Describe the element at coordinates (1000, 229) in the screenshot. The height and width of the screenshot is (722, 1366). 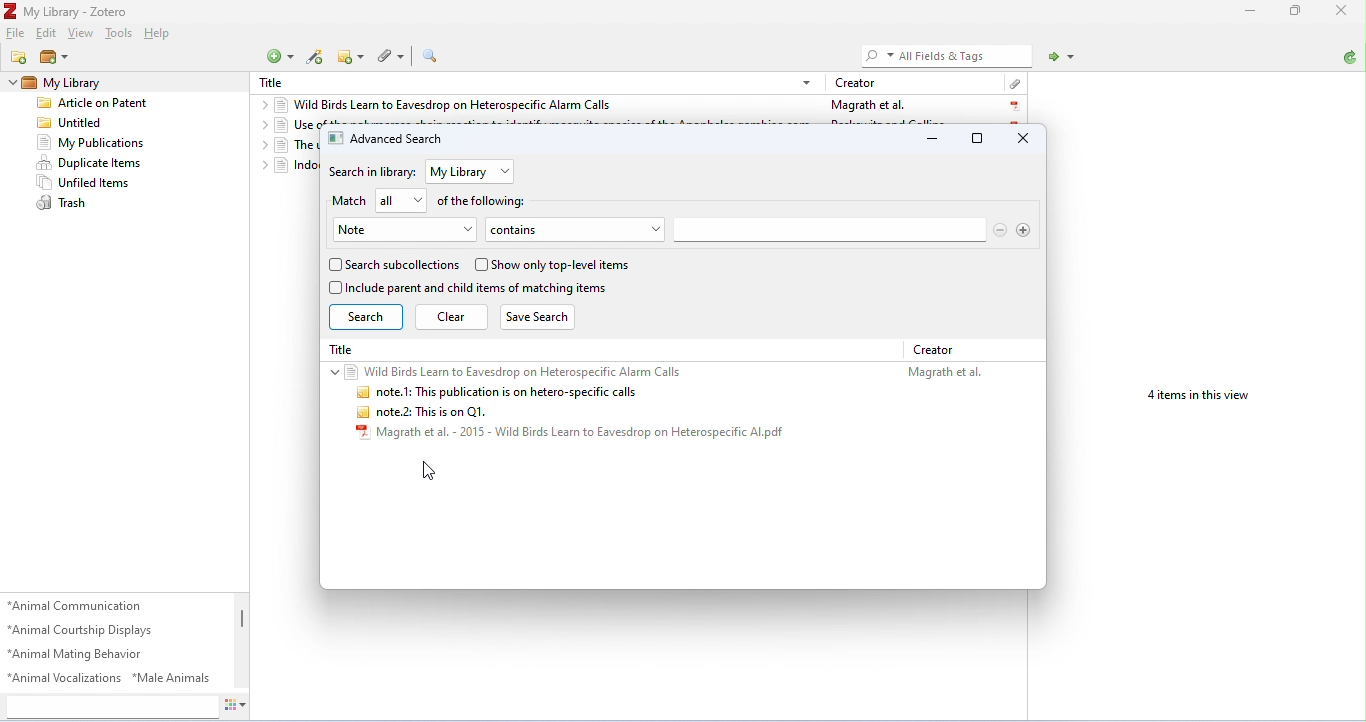
I see `remove search options` at that location.